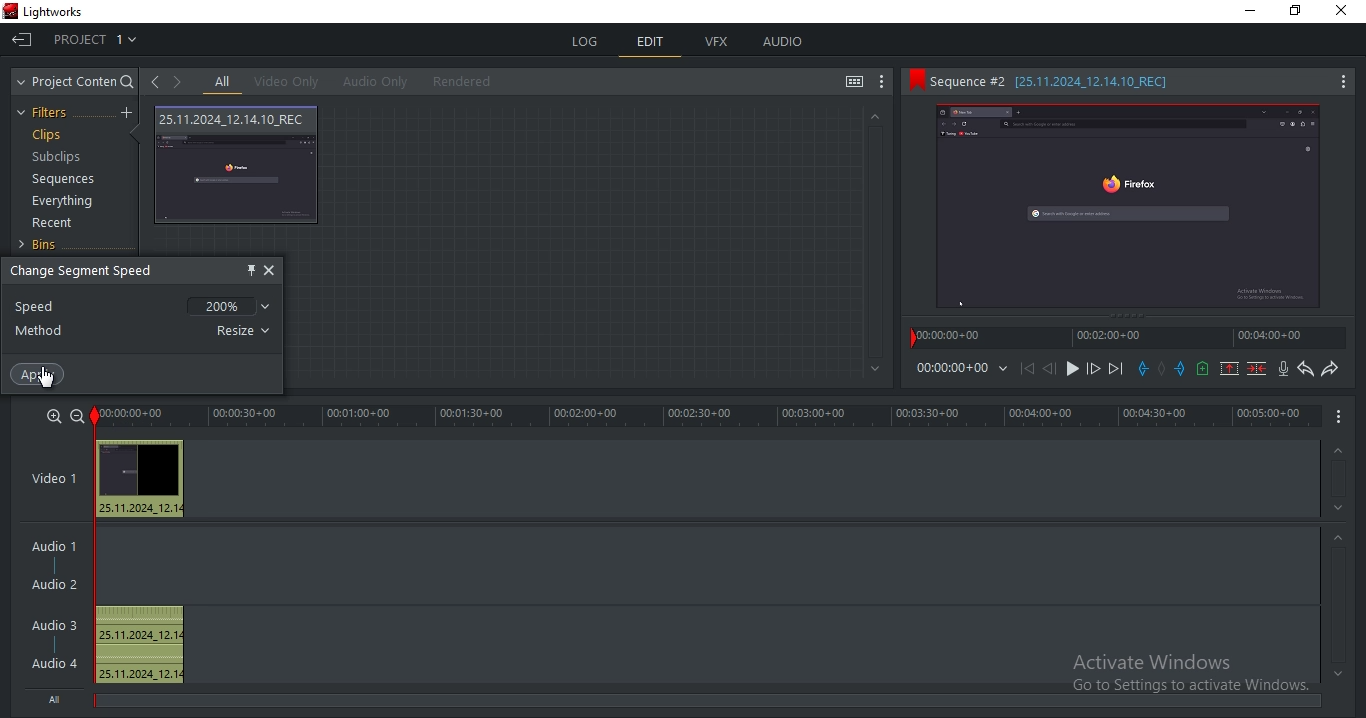  I want to click on 200%, so click(231, 303).